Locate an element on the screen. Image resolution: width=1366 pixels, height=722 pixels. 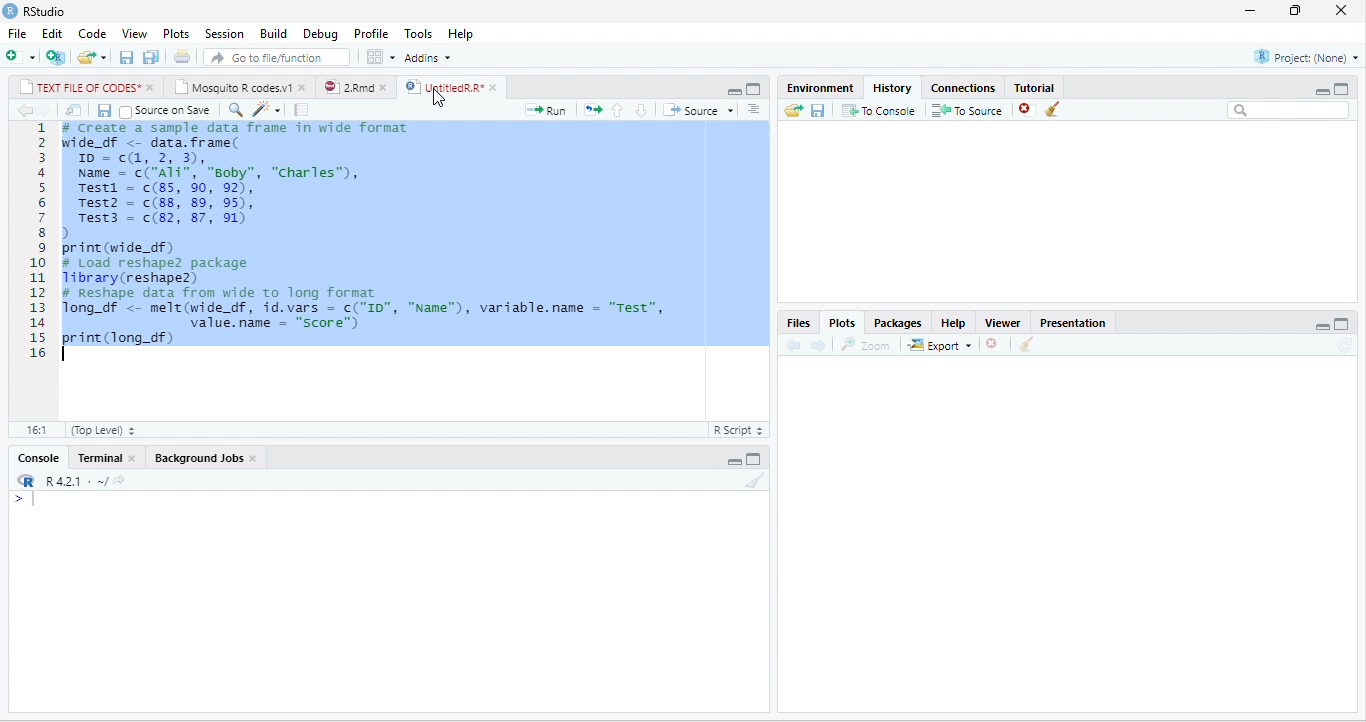
Source is located at coordinates (698, 110).